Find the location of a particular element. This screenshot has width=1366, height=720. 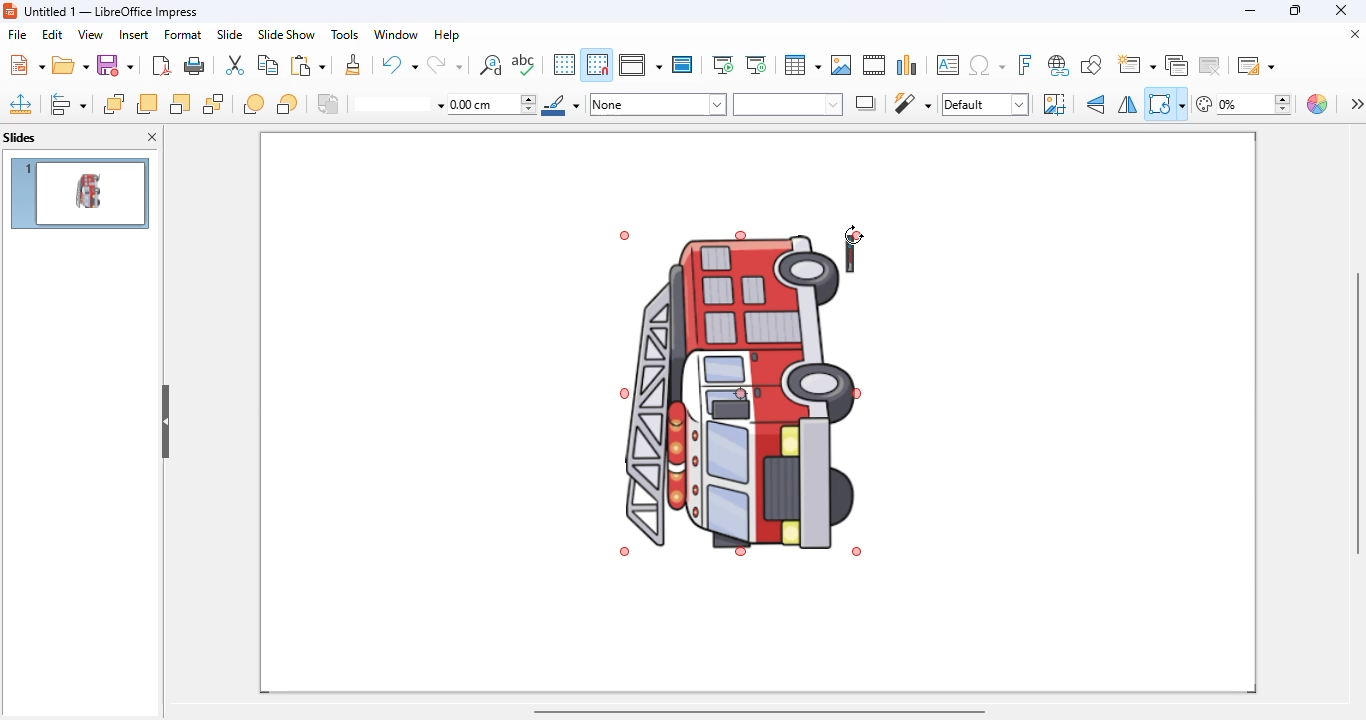

start from current slide is located at coordinates (756, 65).